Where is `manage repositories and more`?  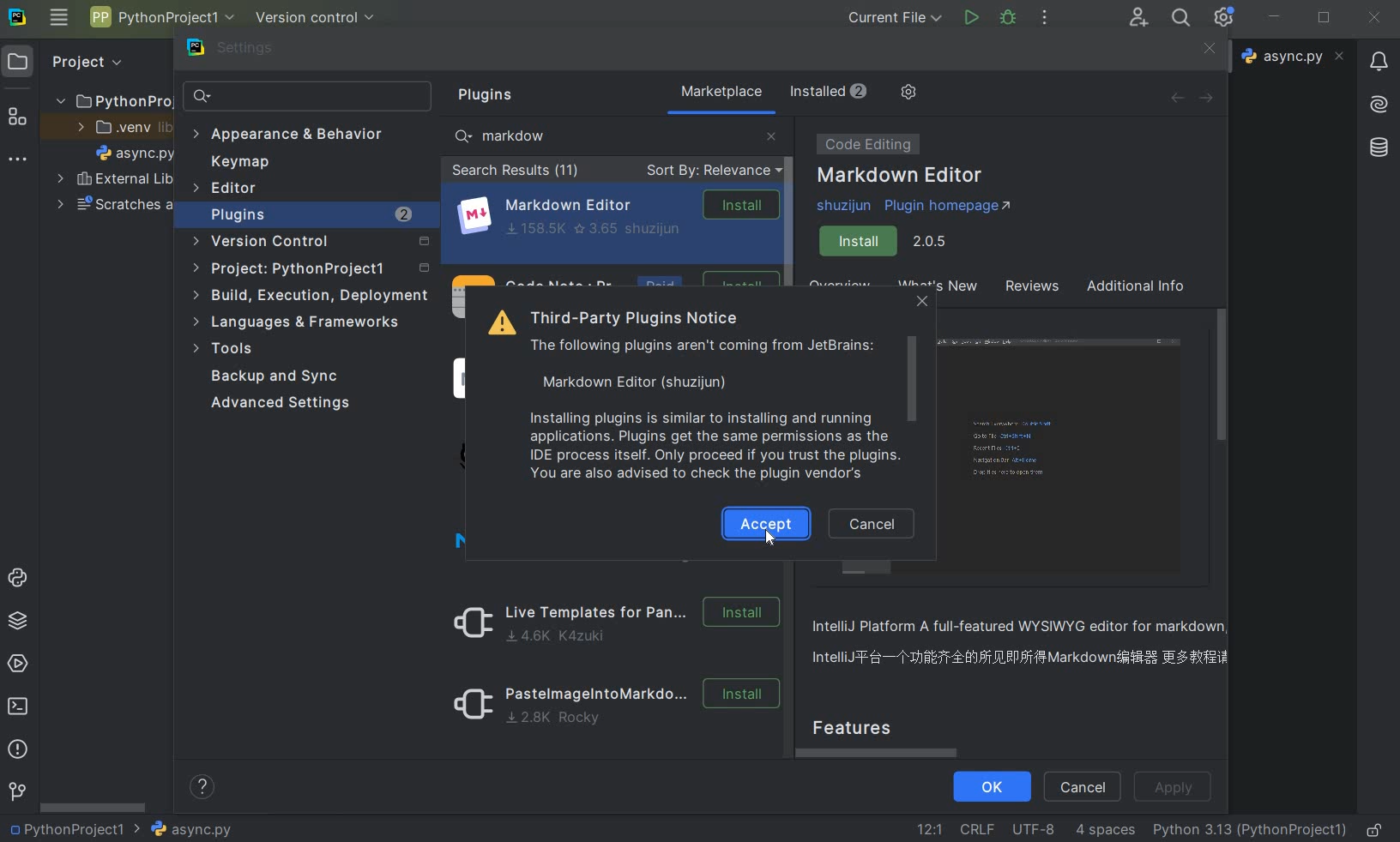 manage repositories and more is located at coordinates (908, 93).